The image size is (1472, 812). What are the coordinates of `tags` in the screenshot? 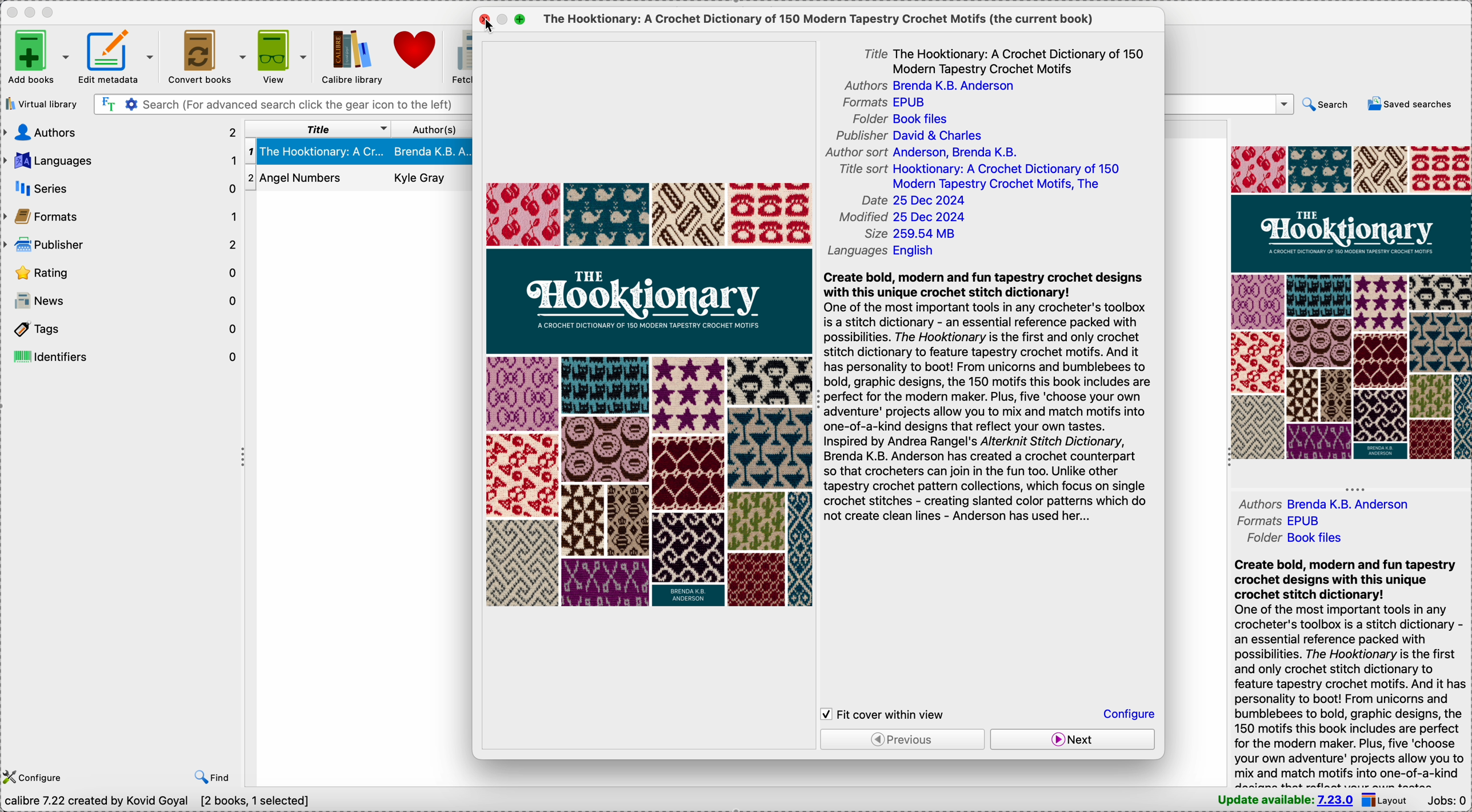 It's located at (122, 326).